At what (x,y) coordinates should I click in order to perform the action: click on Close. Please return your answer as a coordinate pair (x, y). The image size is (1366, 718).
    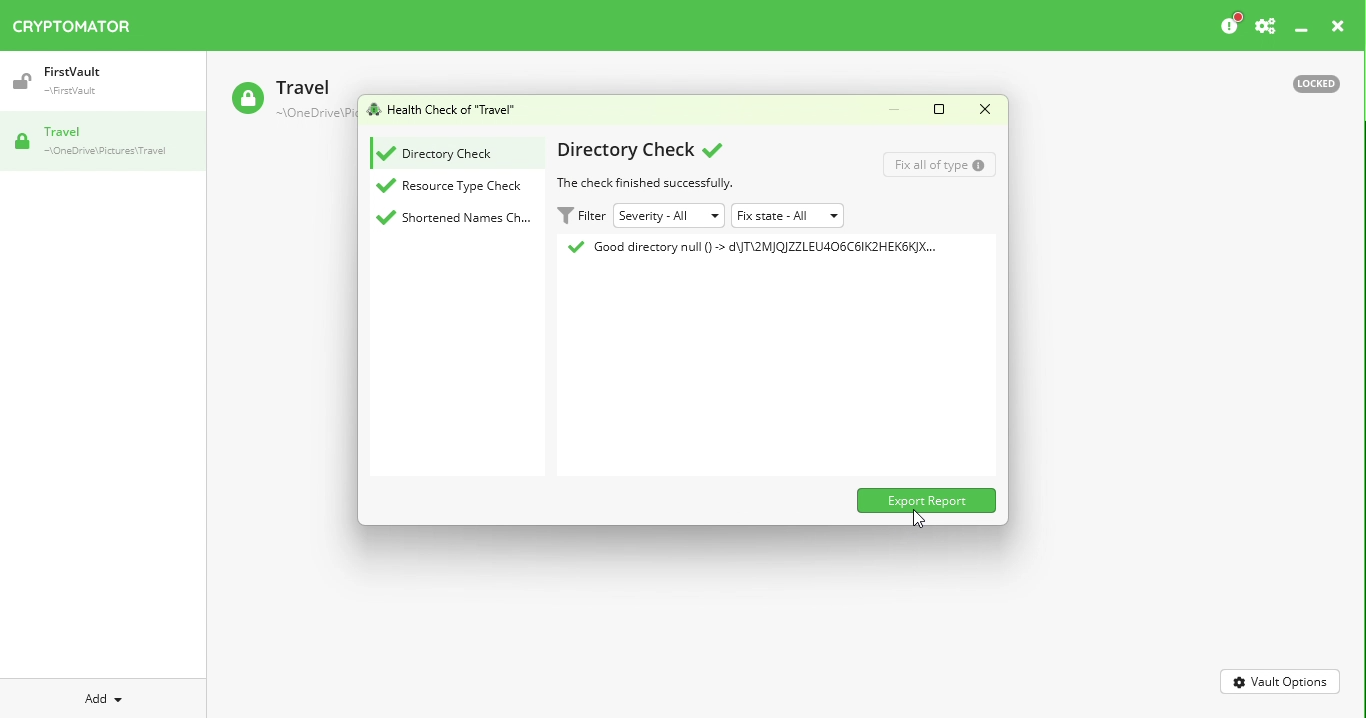
    Looking at the image, I should click on (982, 108).